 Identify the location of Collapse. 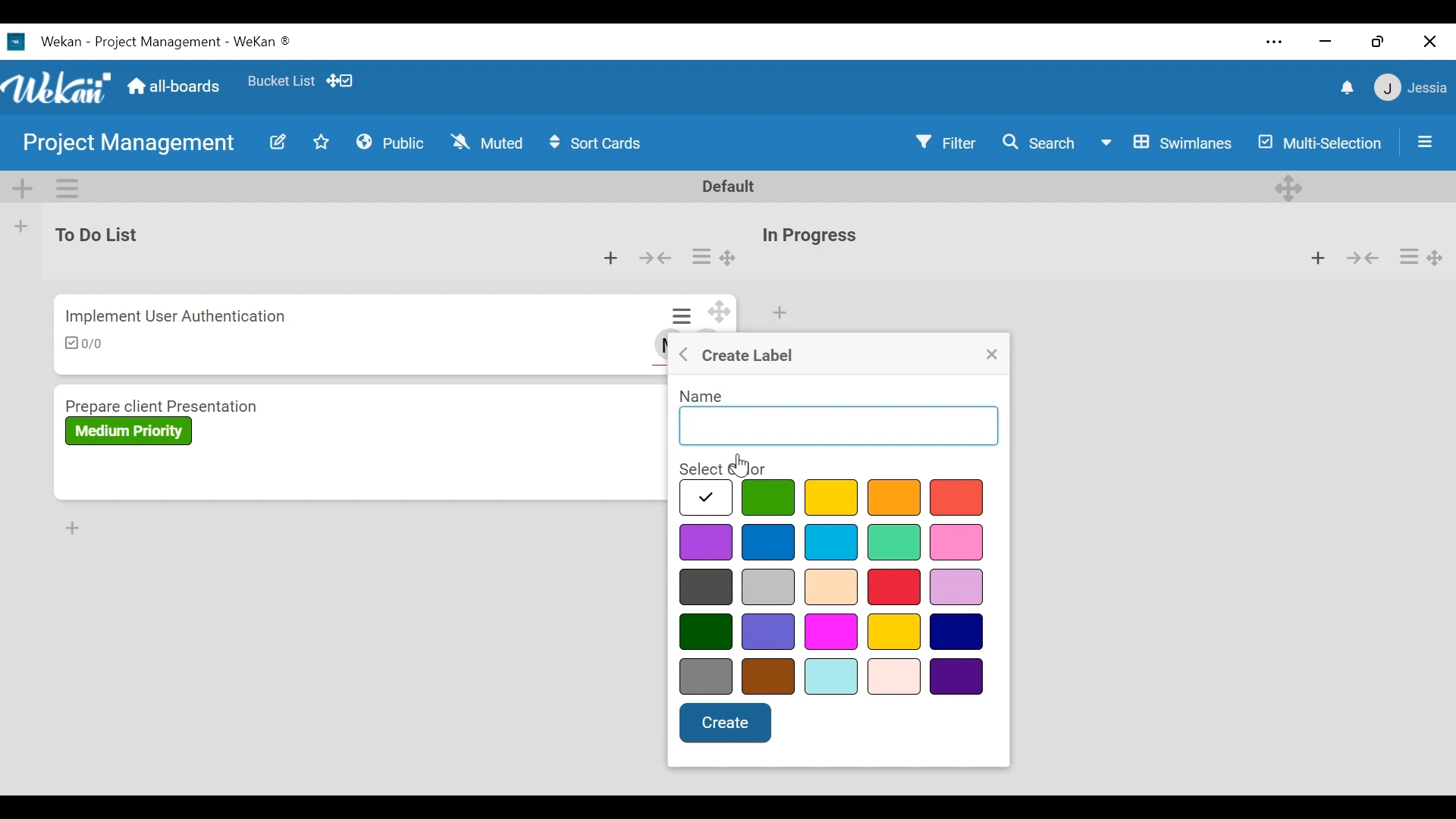
(1361, 257).